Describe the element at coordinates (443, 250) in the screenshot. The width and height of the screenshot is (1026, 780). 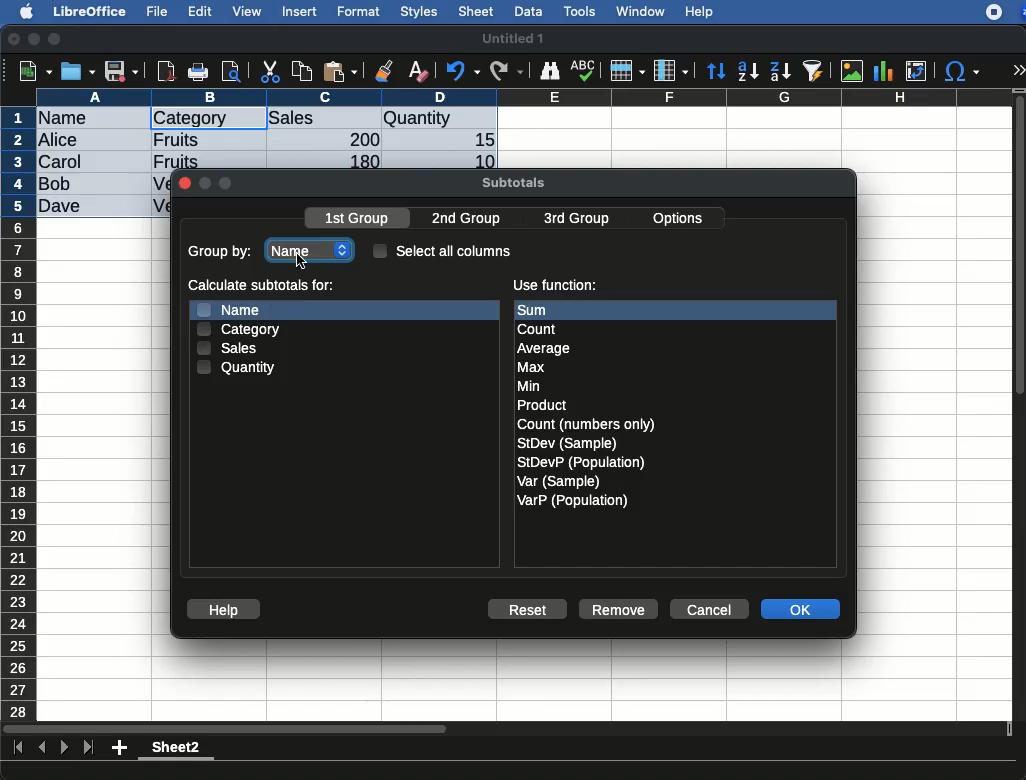
I see `select all columns` at that location.